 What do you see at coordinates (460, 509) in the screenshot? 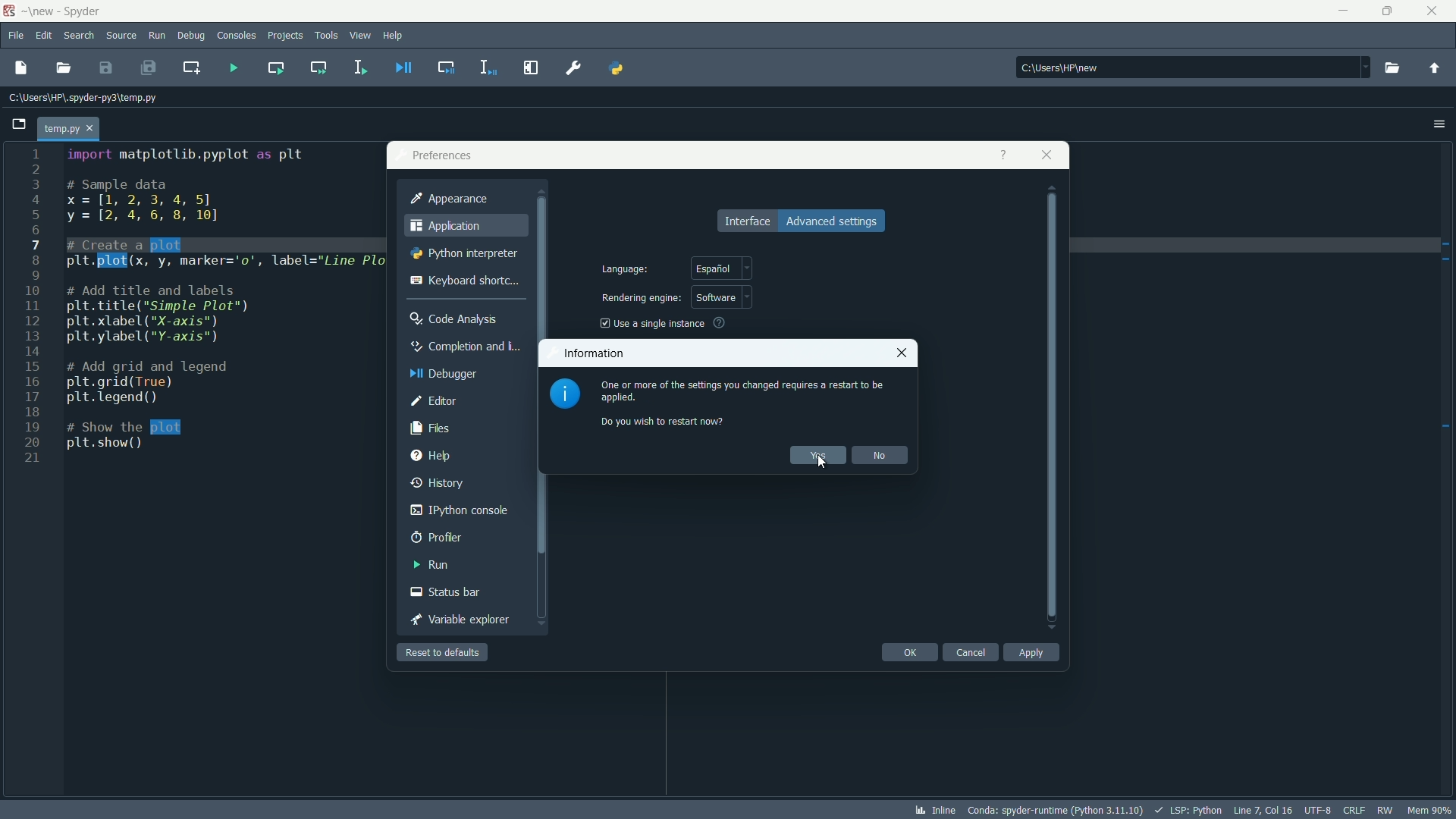
I see `ipython console` at bounding box center [460, 509].